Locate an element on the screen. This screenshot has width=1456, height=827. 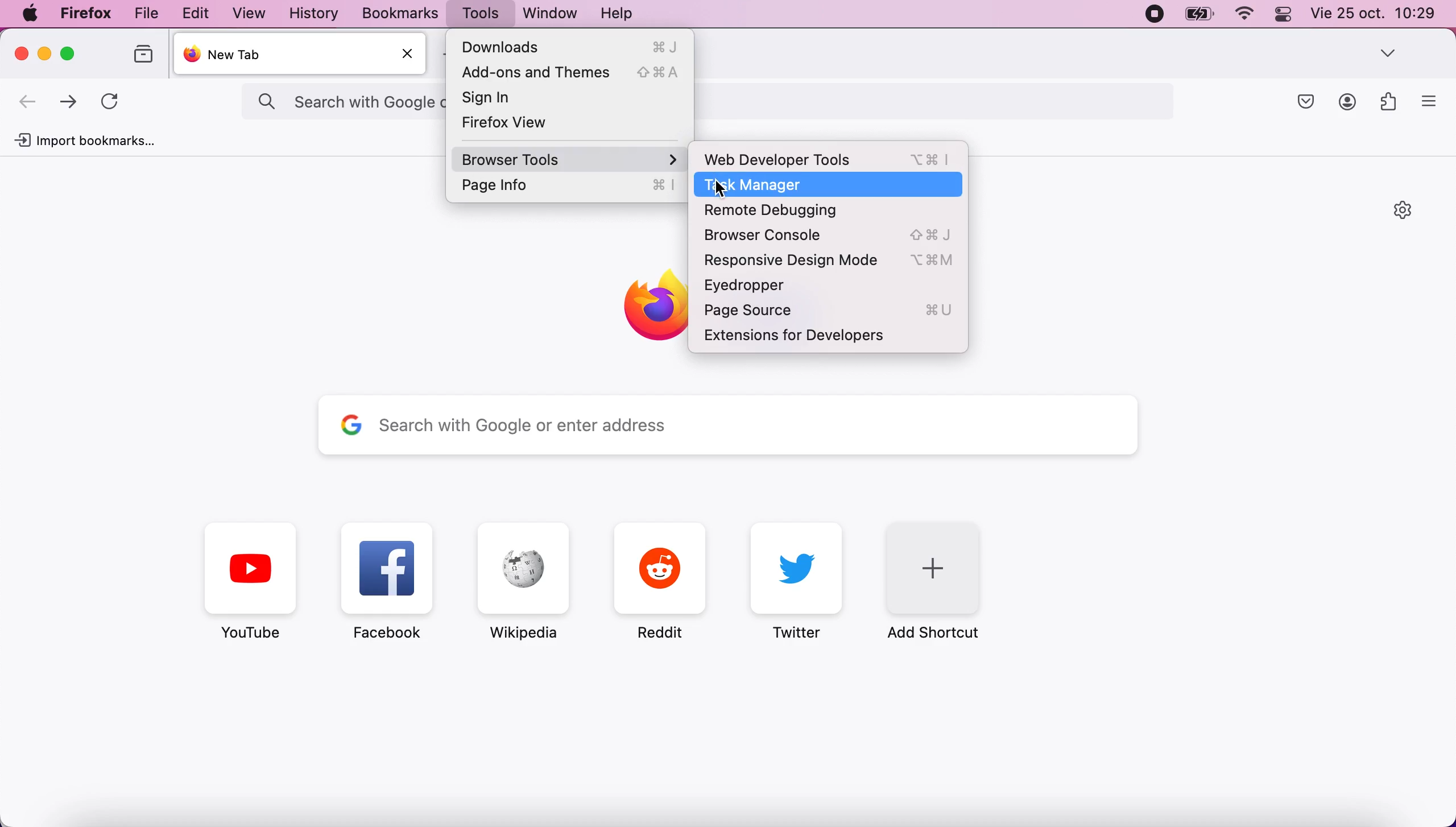
Date and time is located at coordinates (1374, 13).